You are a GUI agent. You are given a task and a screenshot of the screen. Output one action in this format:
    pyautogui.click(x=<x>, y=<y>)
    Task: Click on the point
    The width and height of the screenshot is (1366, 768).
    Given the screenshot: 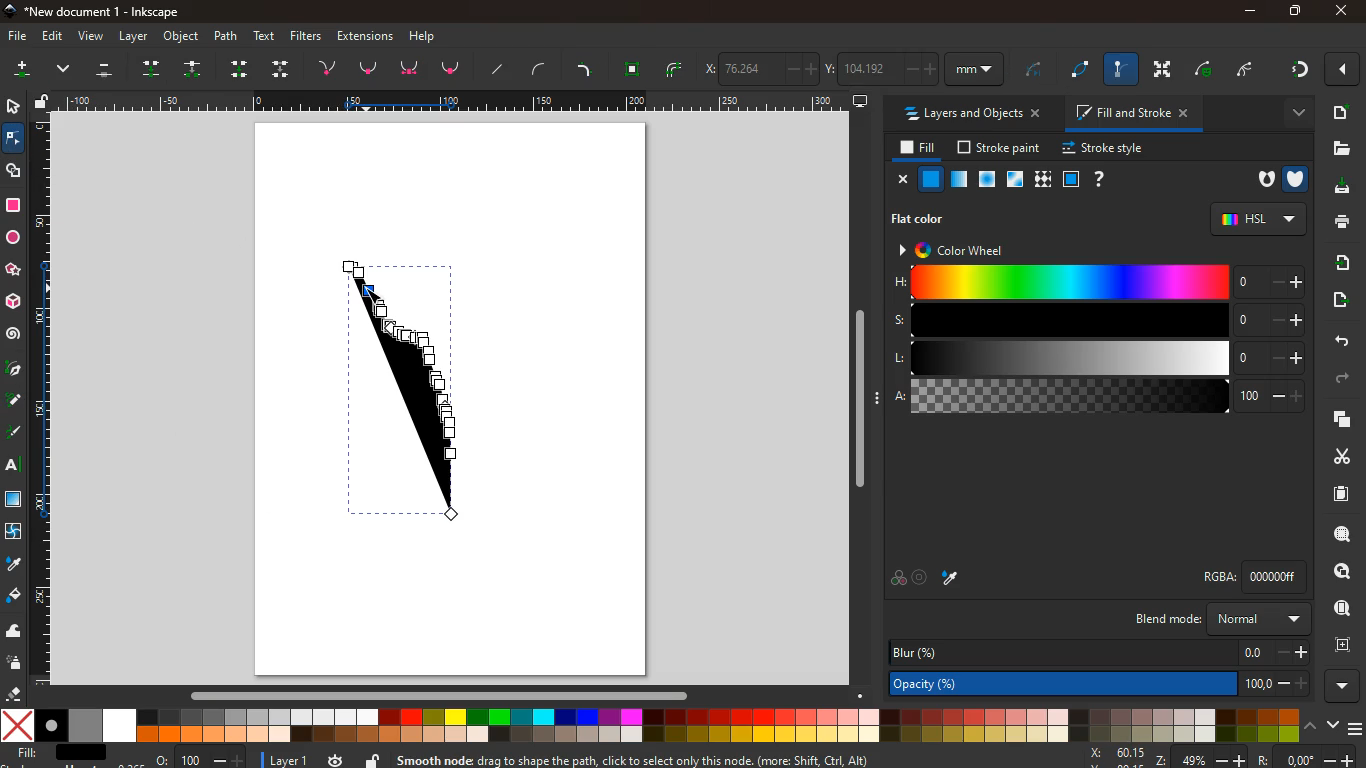 What is the action you would take?
    pyautogui.click(x=369, y=68)
    